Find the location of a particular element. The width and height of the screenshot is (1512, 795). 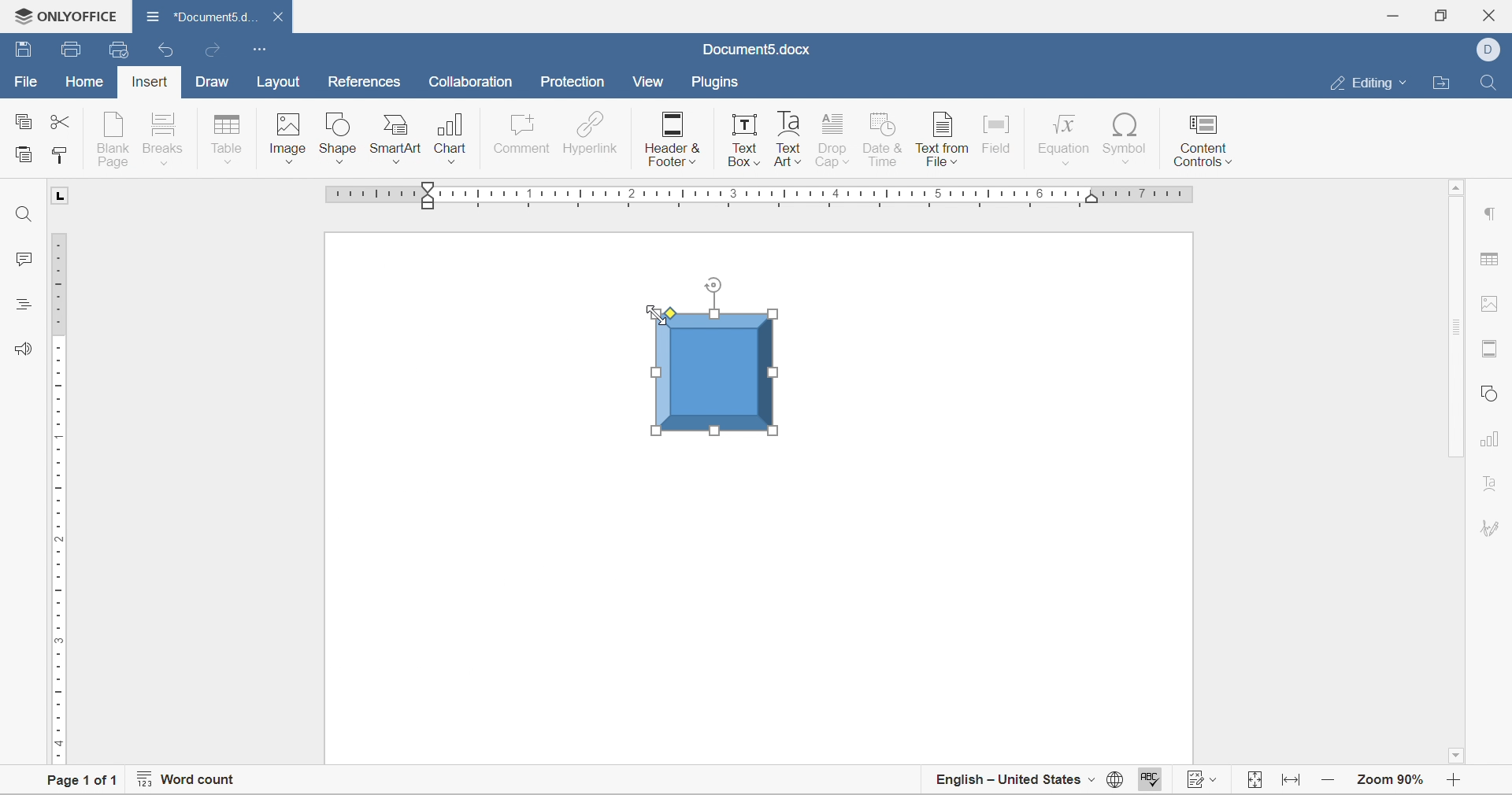

copy style is located at coordinates (63, 154).